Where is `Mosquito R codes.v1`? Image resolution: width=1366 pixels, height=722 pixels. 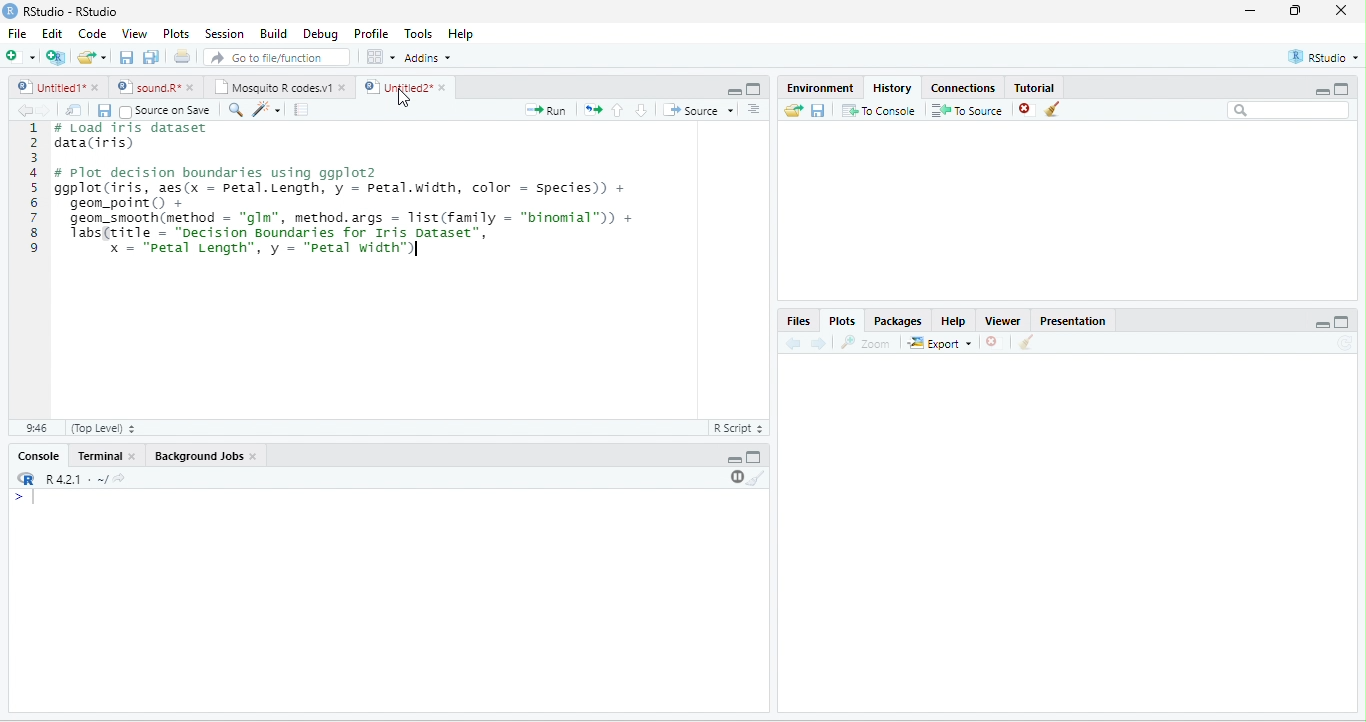 Mosquito R codes.v1 is located at coordinates (271, 87).